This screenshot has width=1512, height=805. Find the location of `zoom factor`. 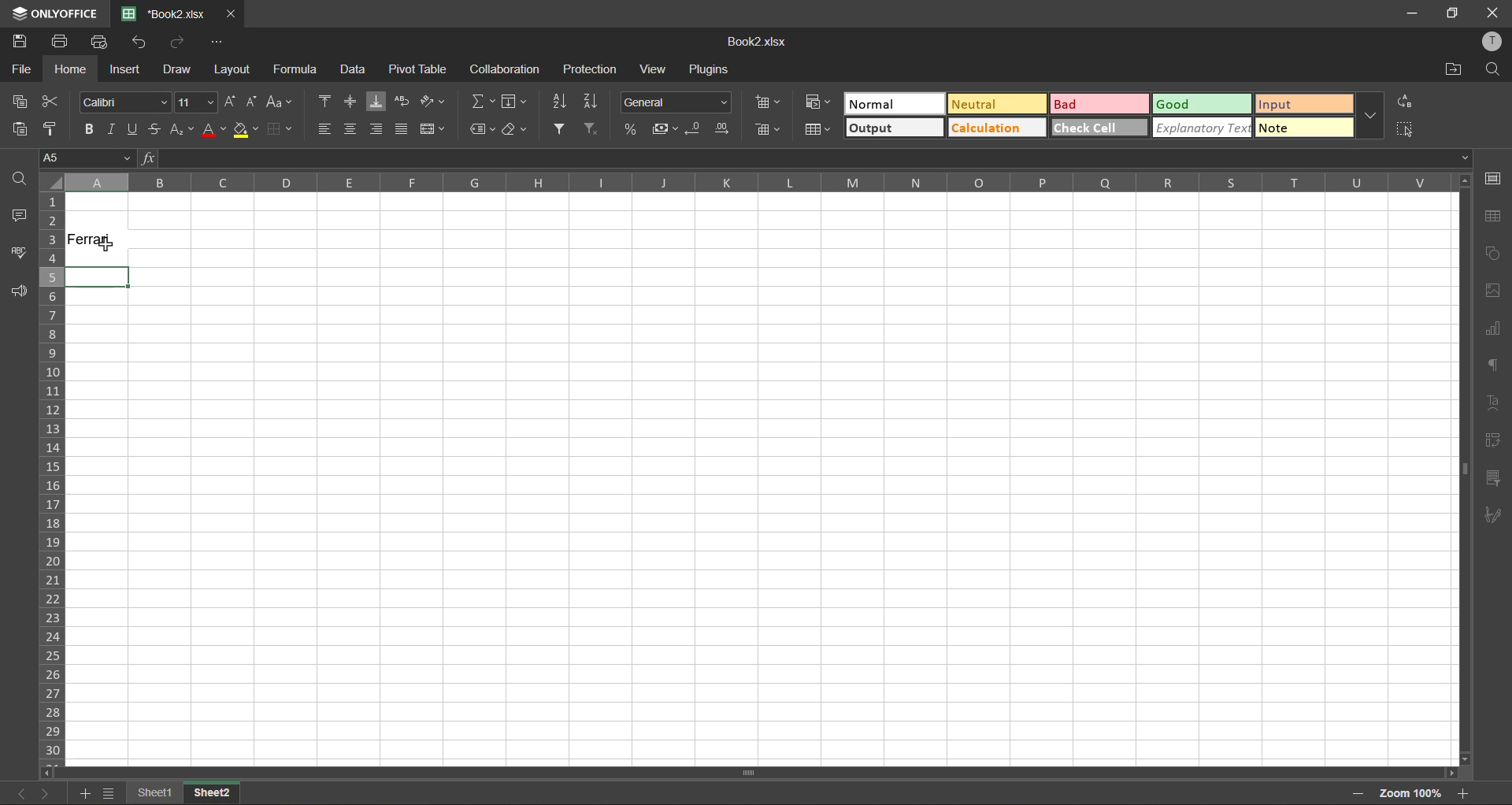

zoom factor is located at coordinates (1414, 793).